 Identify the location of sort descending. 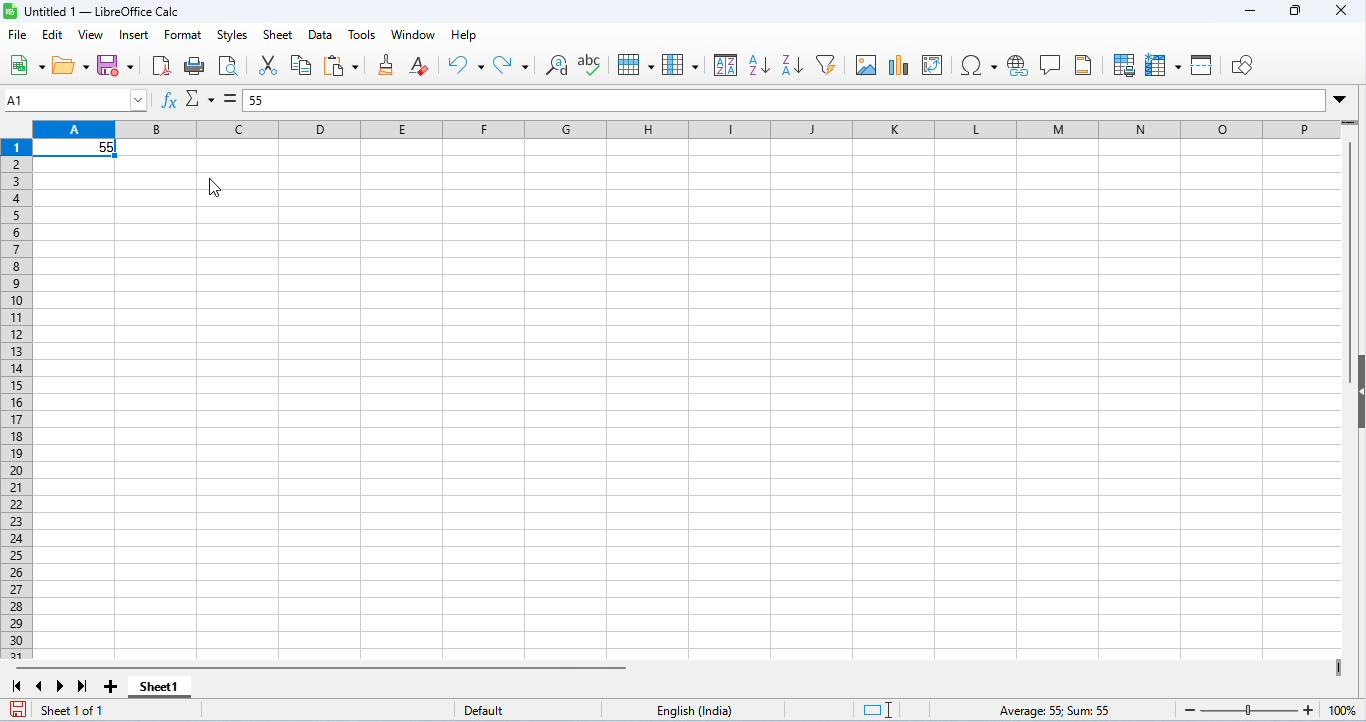
(792, 66).